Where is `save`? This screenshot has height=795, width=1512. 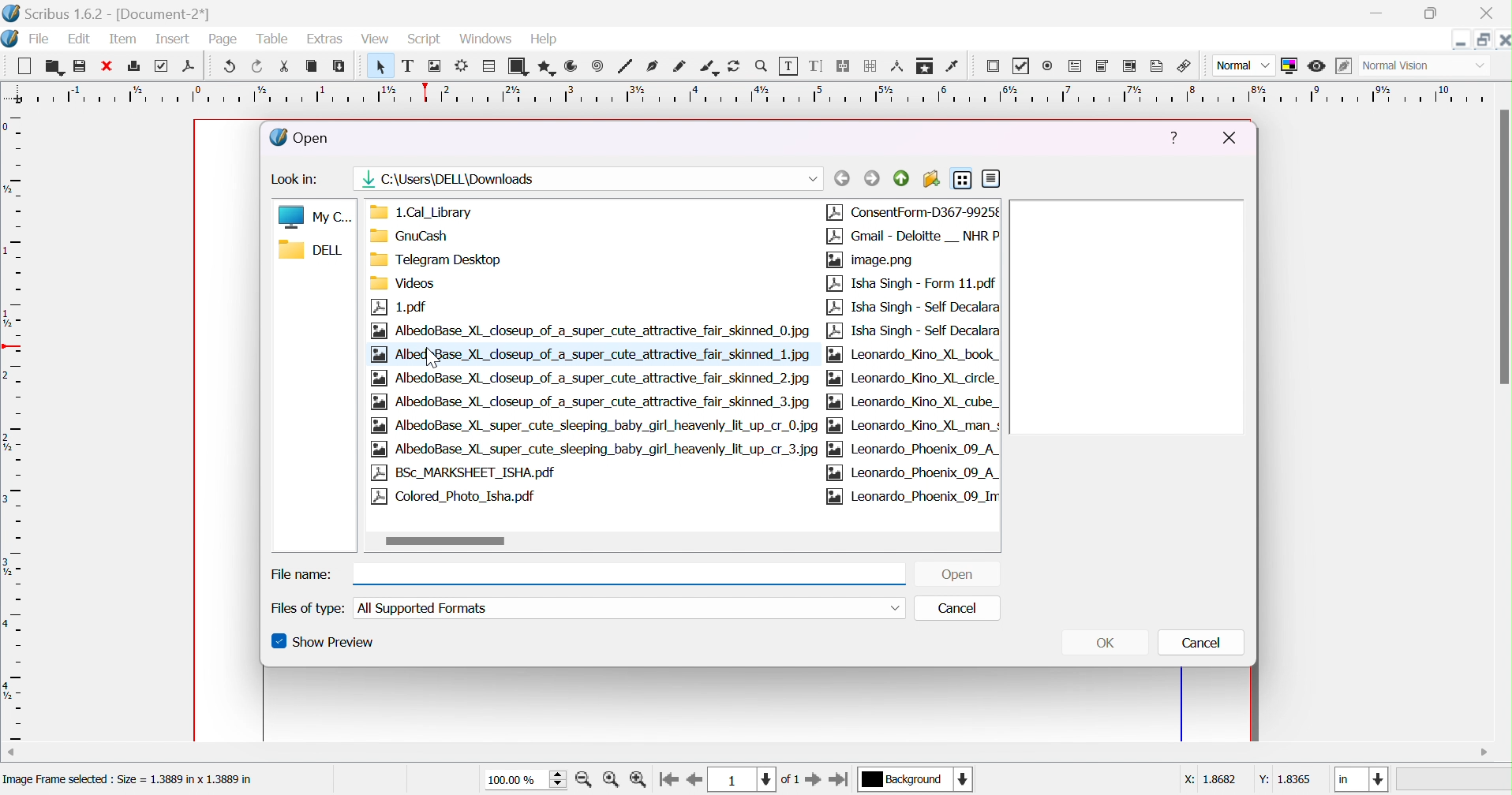
save is located at coordinates (80, 66).